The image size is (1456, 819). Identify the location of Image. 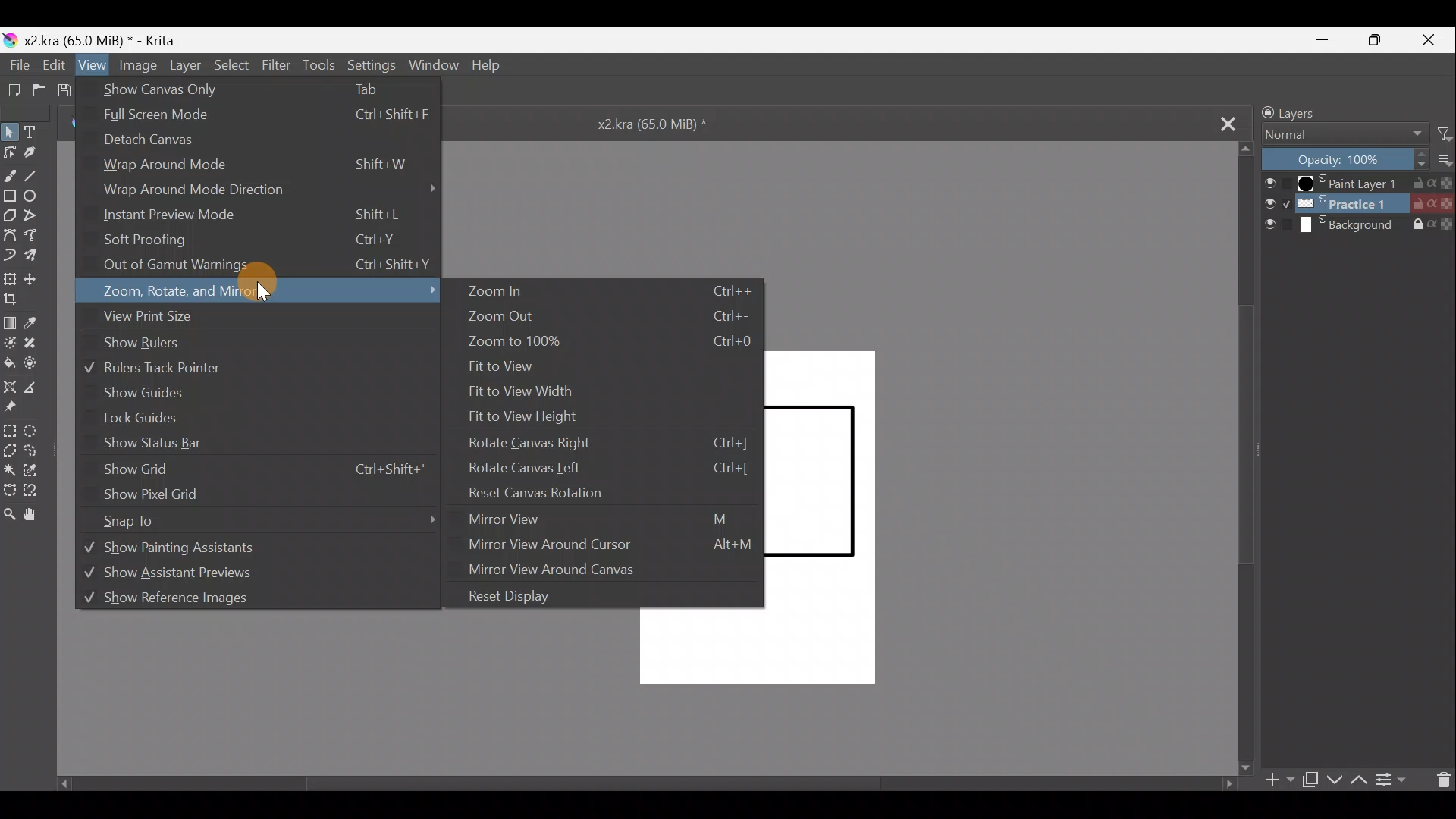
(136, 67).